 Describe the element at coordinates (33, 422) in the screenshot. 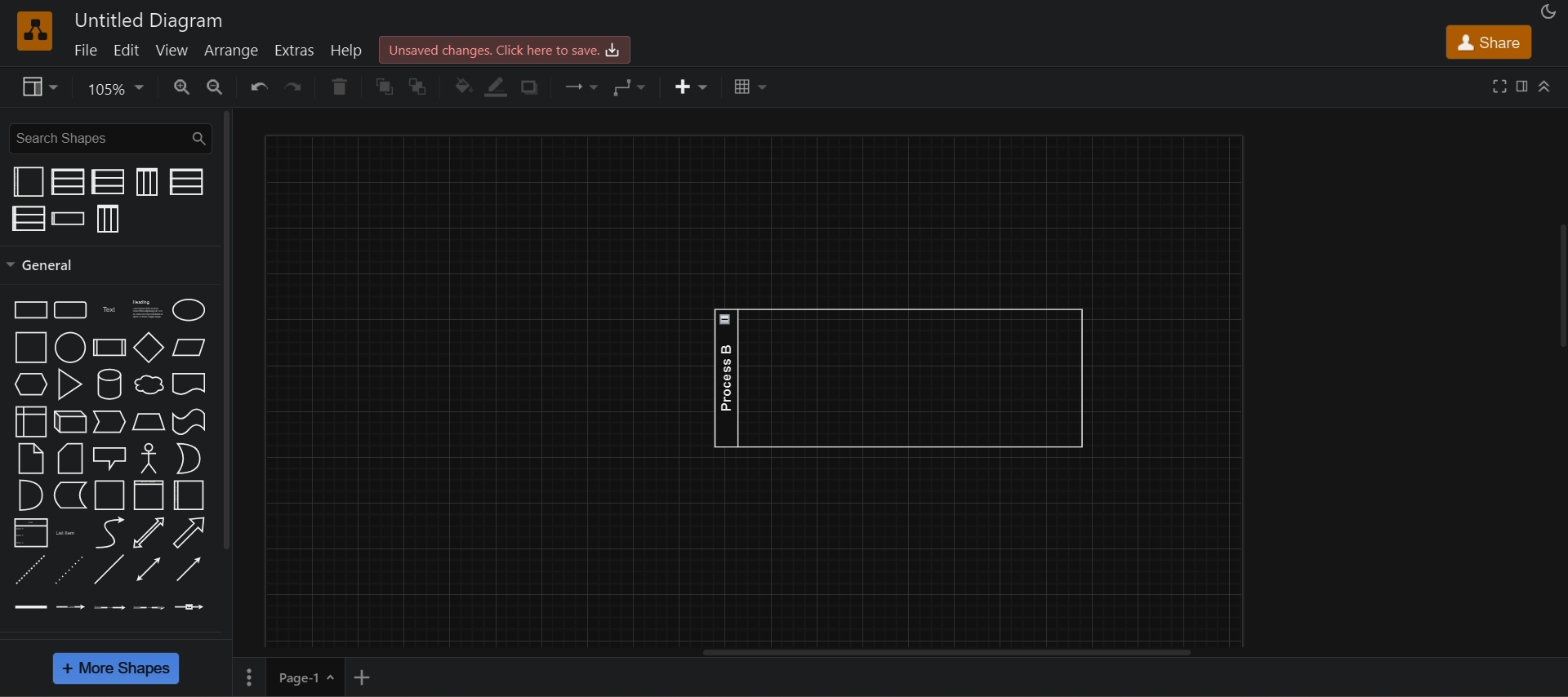

I see `internal storage` at that location.